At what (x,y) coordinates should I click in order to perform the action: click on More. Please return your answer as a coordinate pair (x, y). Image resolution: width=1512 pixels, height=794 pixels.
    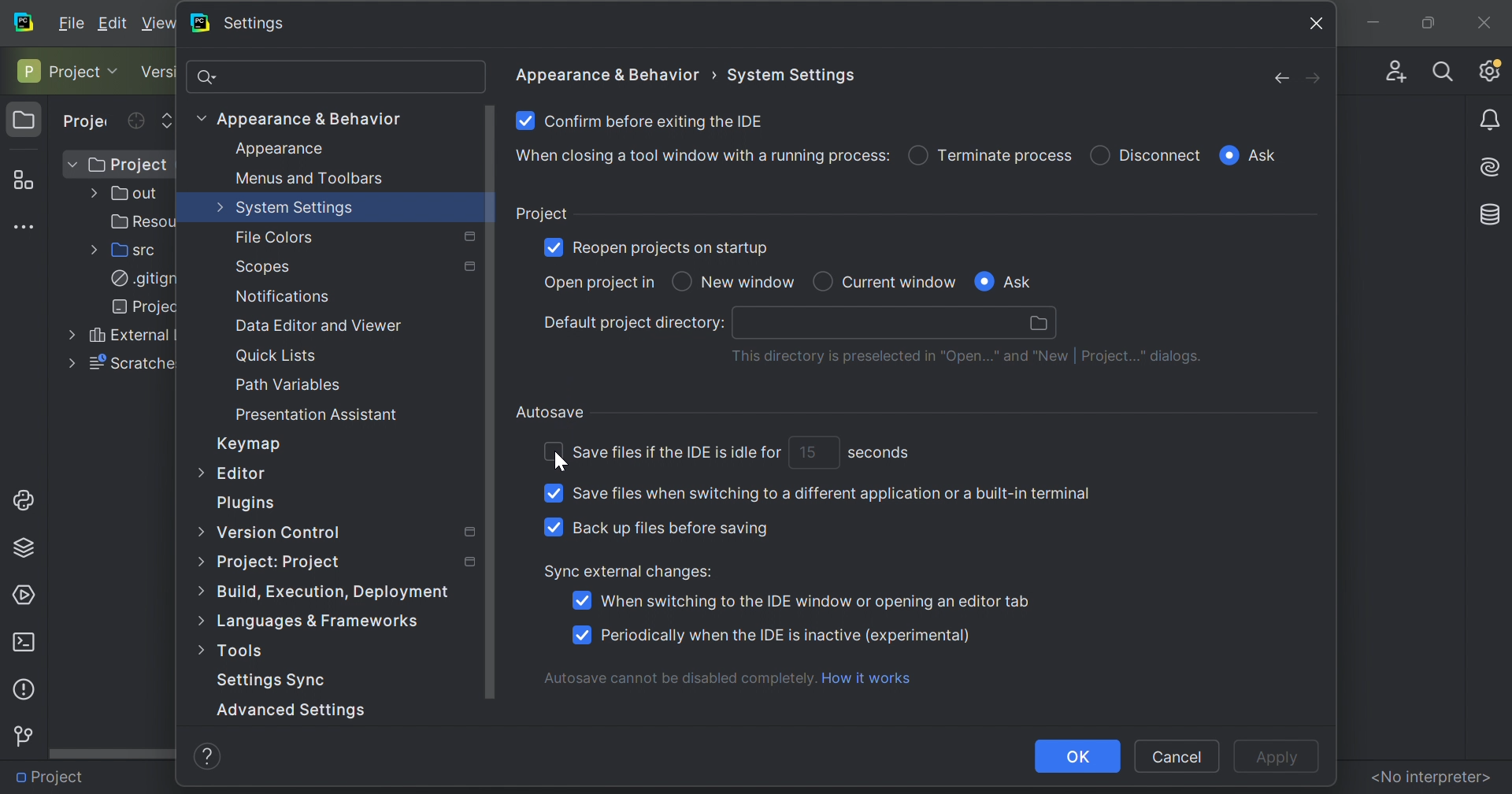
    Looking at the image, I should click on (90, 195).